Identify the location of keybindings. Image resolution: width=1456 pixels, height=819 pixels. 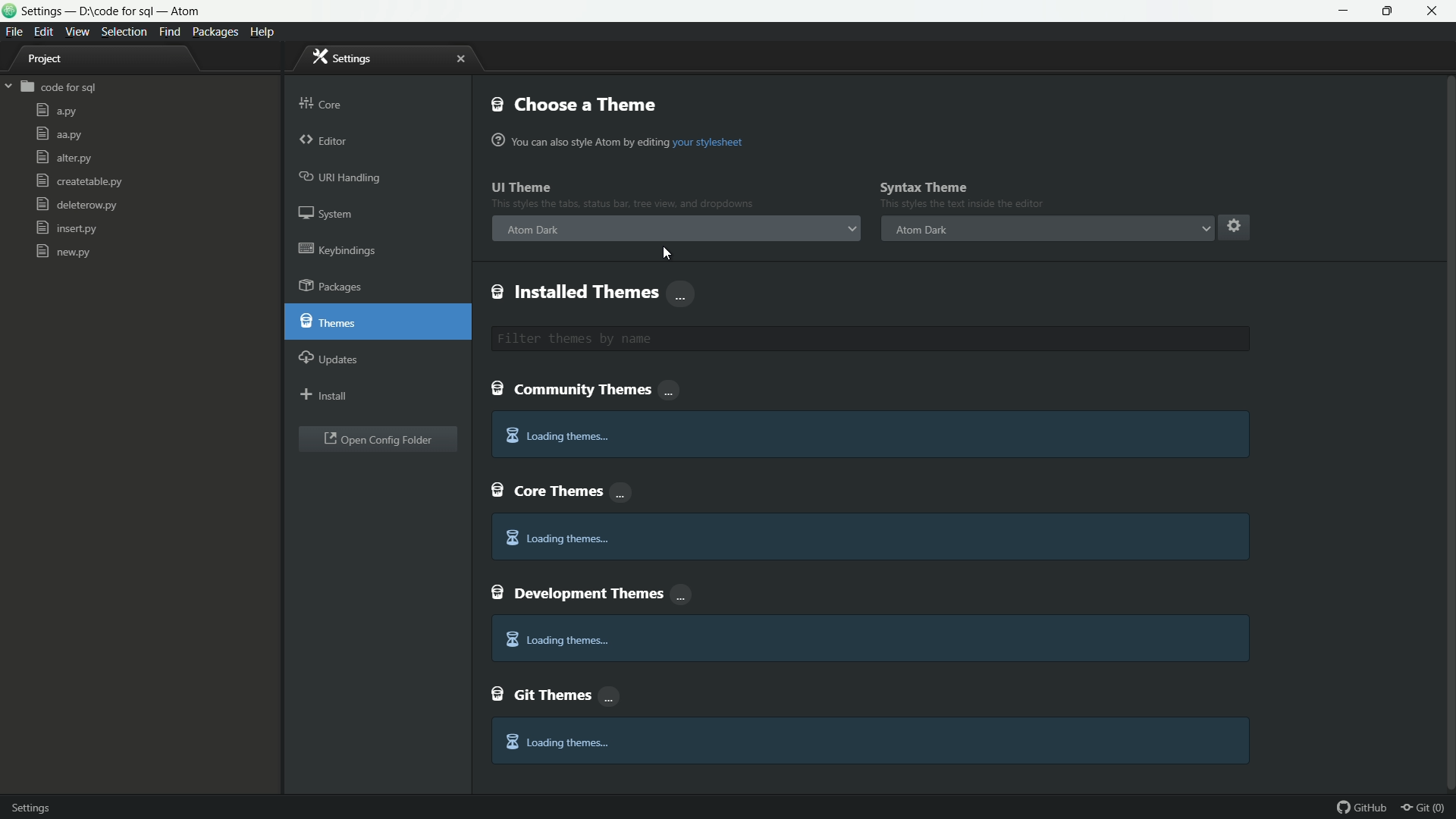
(337, 249).